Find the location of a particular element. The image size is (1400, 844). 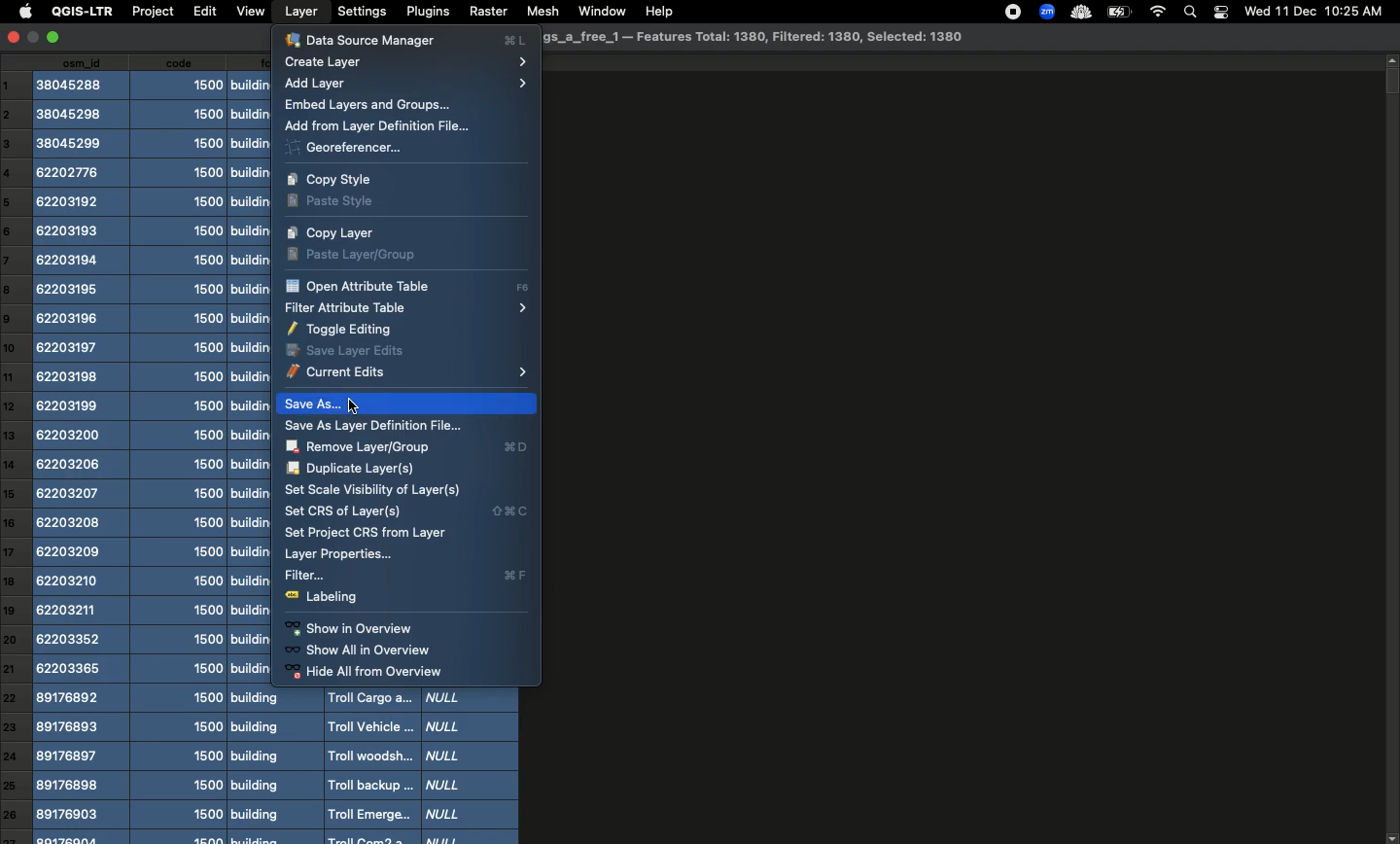

Create layer is located at coordinates (406, 63).